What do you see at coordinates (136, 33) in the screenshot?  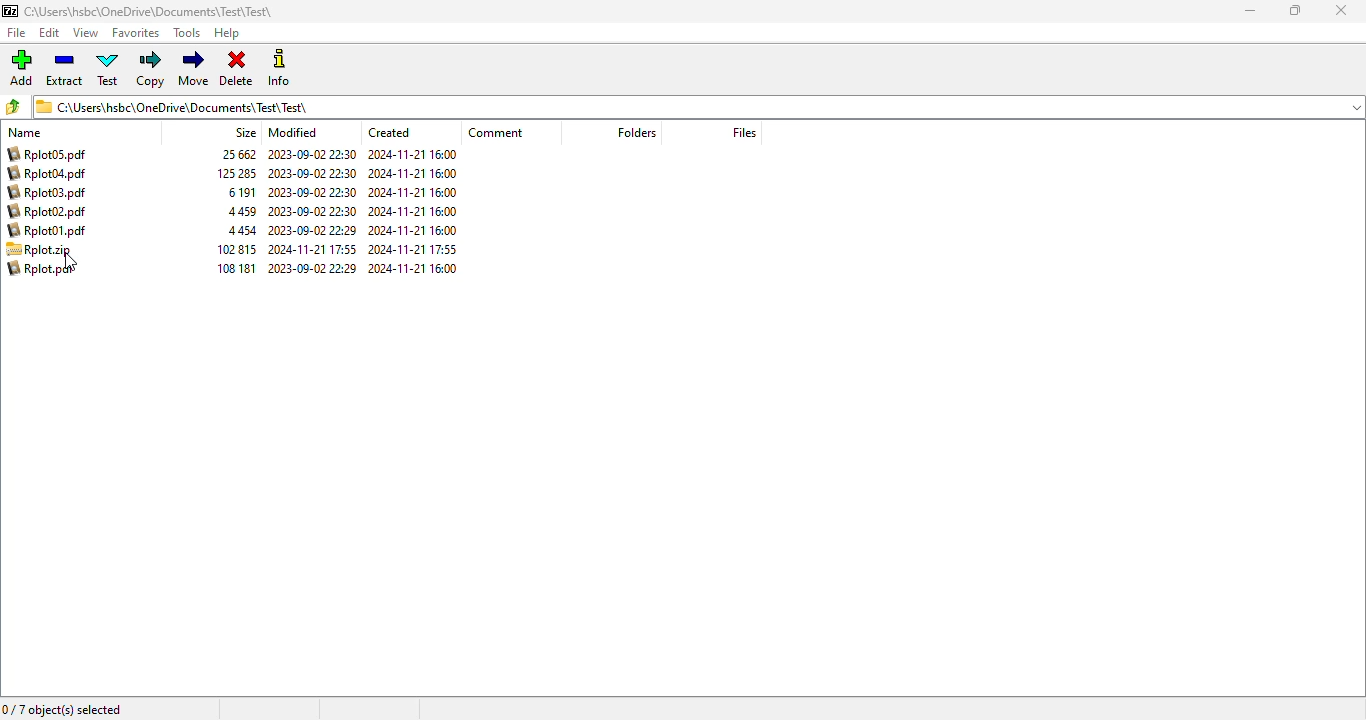 I see `favorites` at bounding box center [136, 33].